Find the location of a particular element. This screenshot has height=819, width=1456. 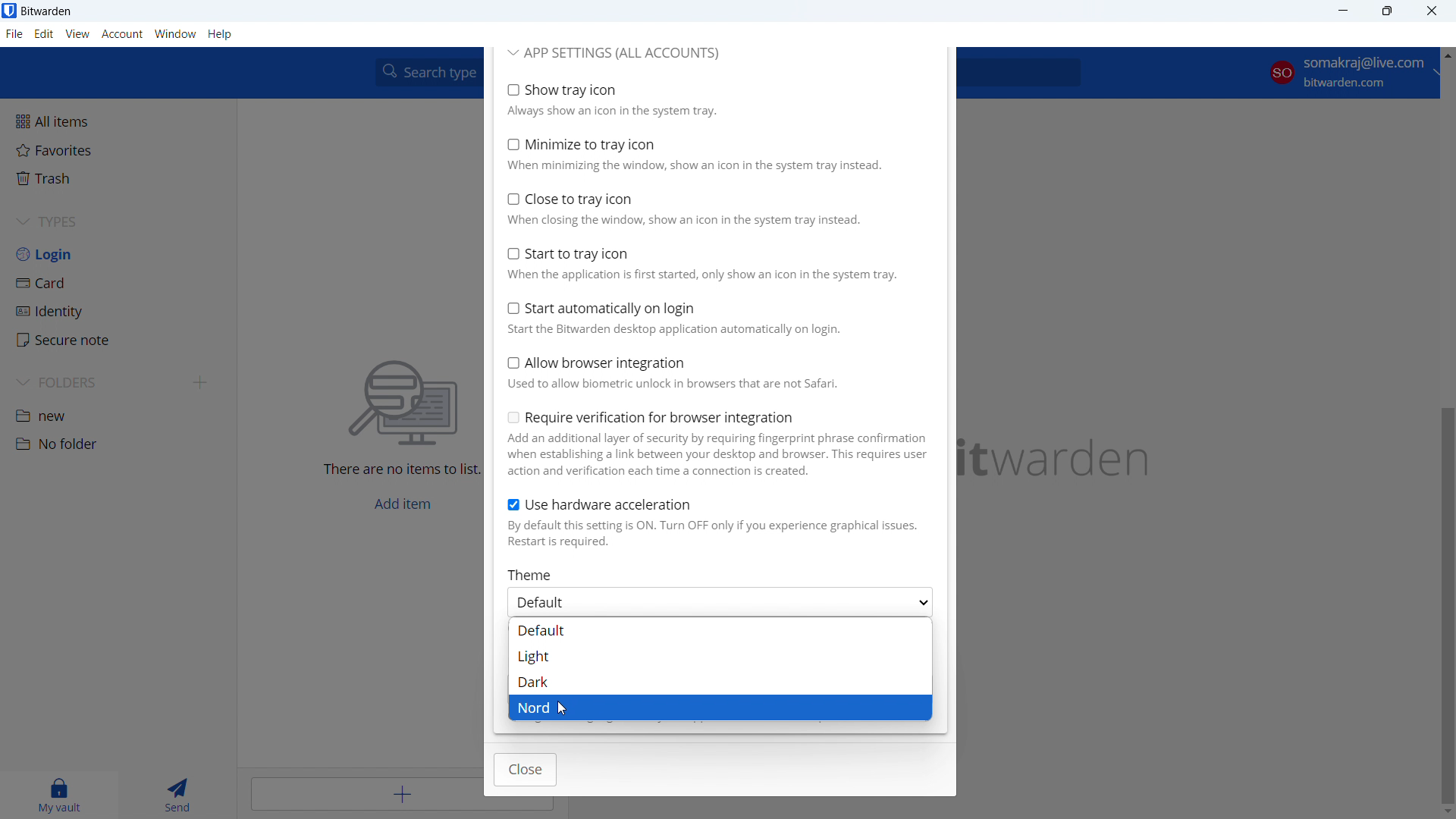

show tray icon is located at coordinates (712, 99).